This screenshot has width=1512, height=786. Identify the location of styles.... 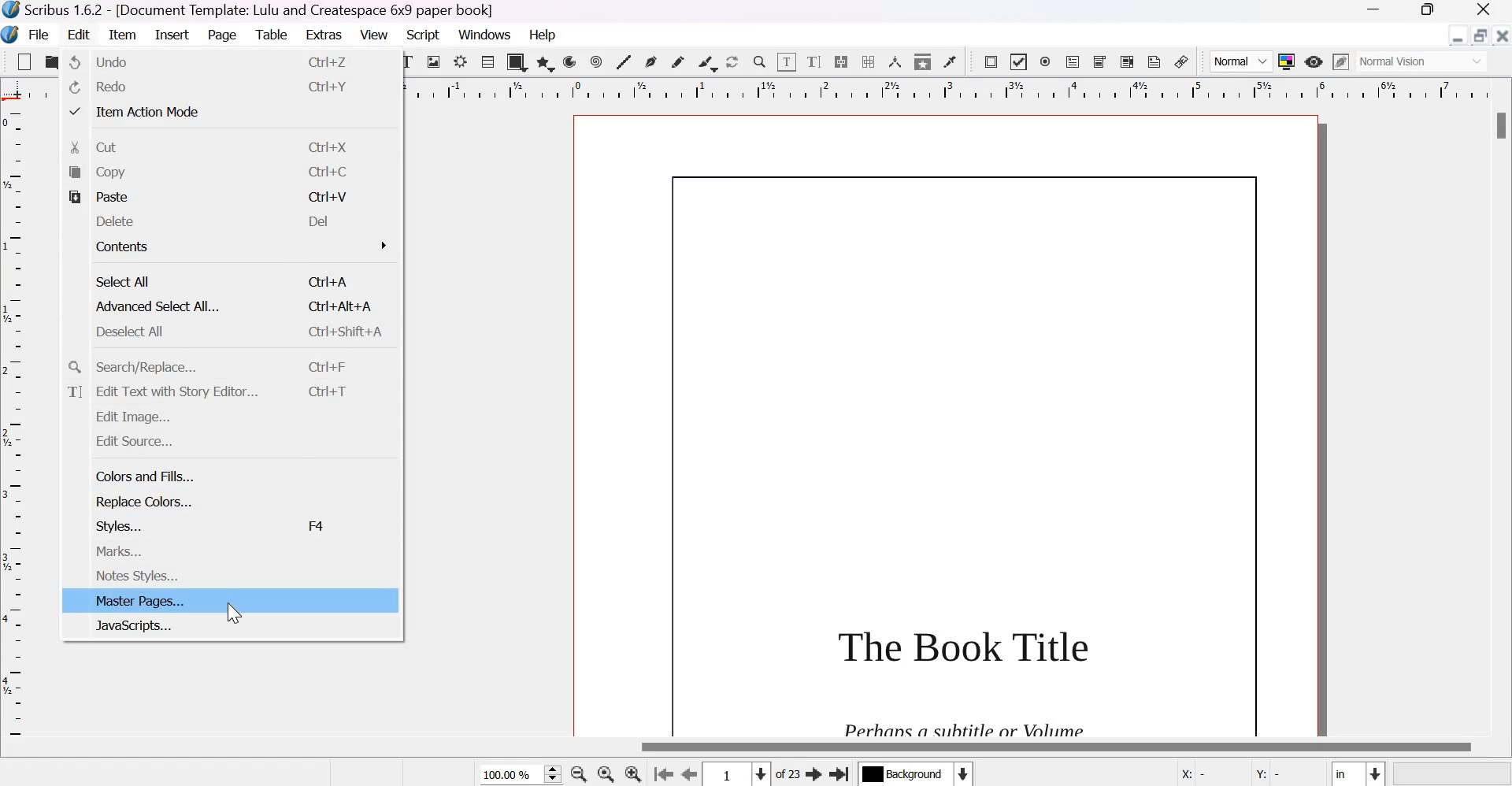
(220, 527).